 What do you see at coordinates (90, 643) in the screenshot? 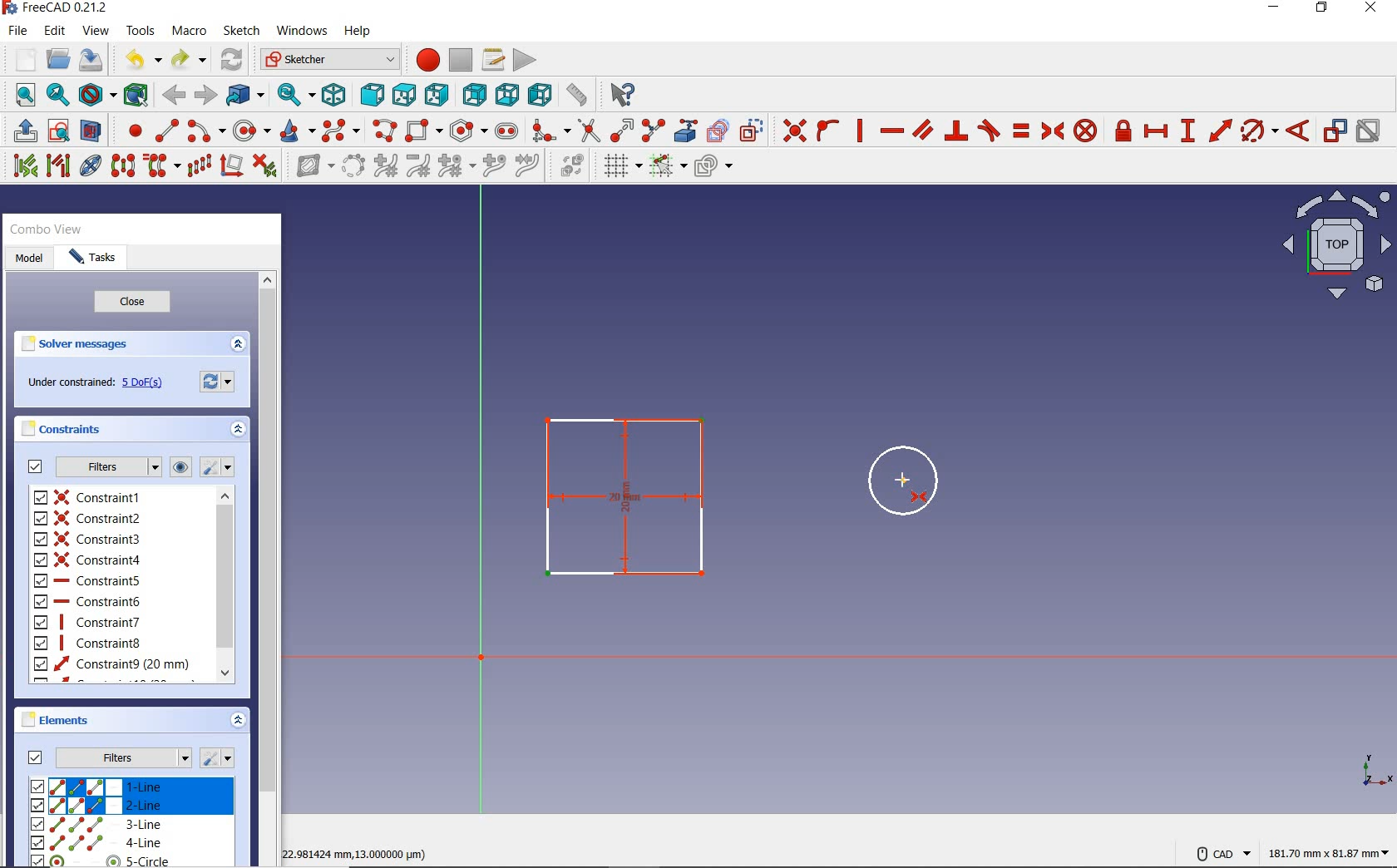
I see `constraint8` at bounding box center [90, 643].